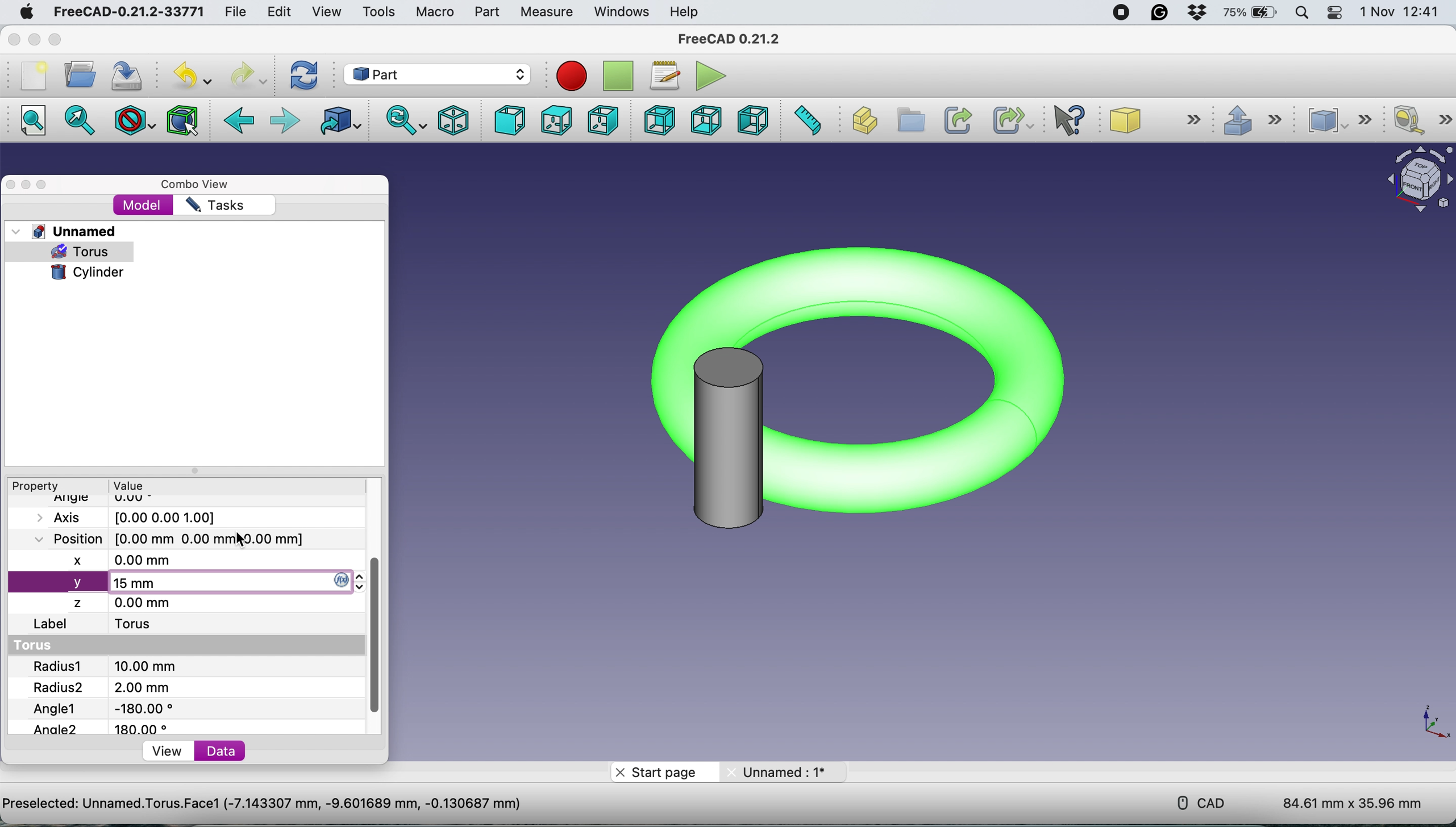 The height and width of the screenshot is (827, 1456). I want to click on front, so click(511, 121).